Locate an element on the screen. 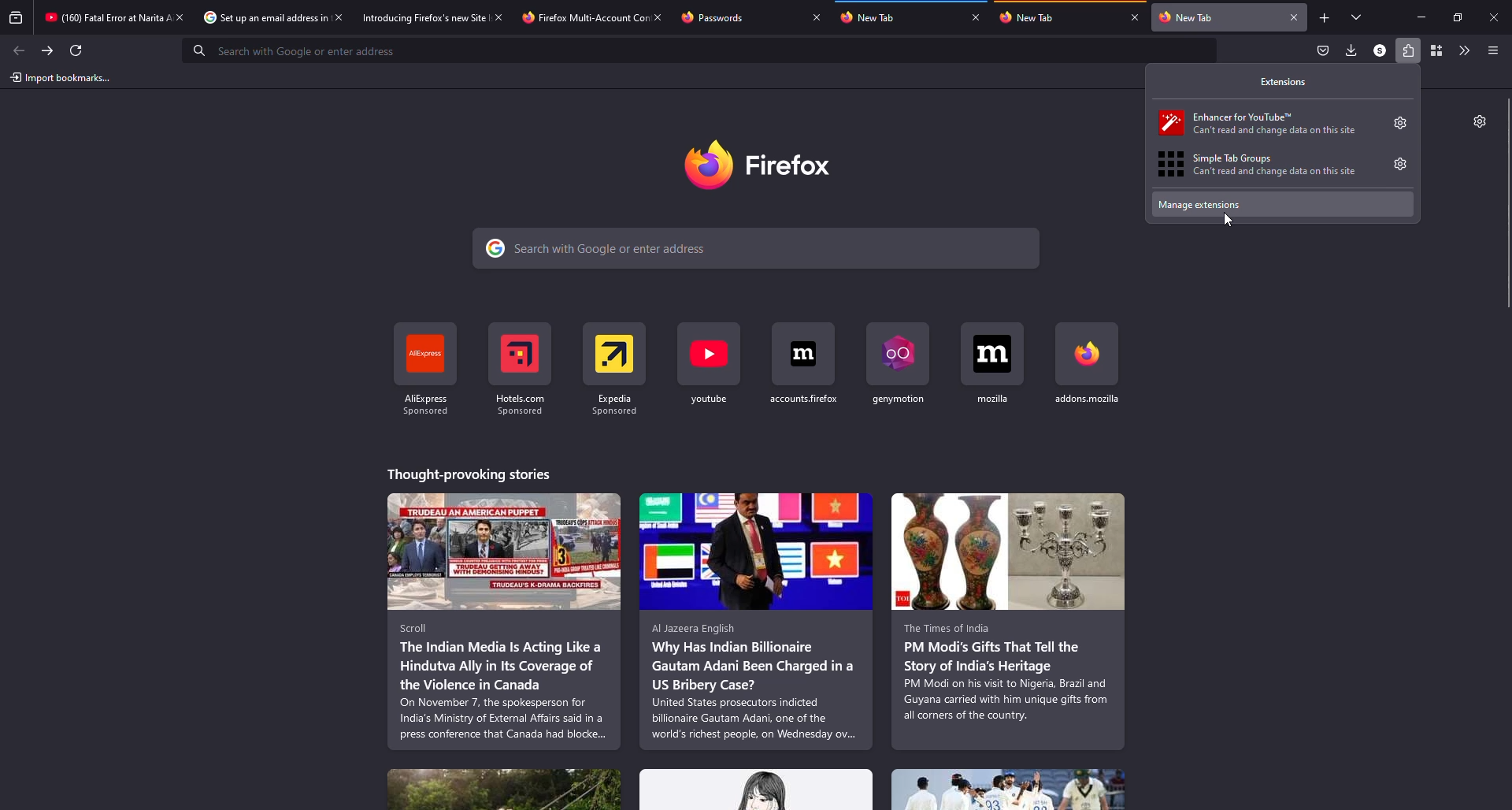 The height and width of the screenshot is (810, 1512). settings is located at coordinates (1399, 164).